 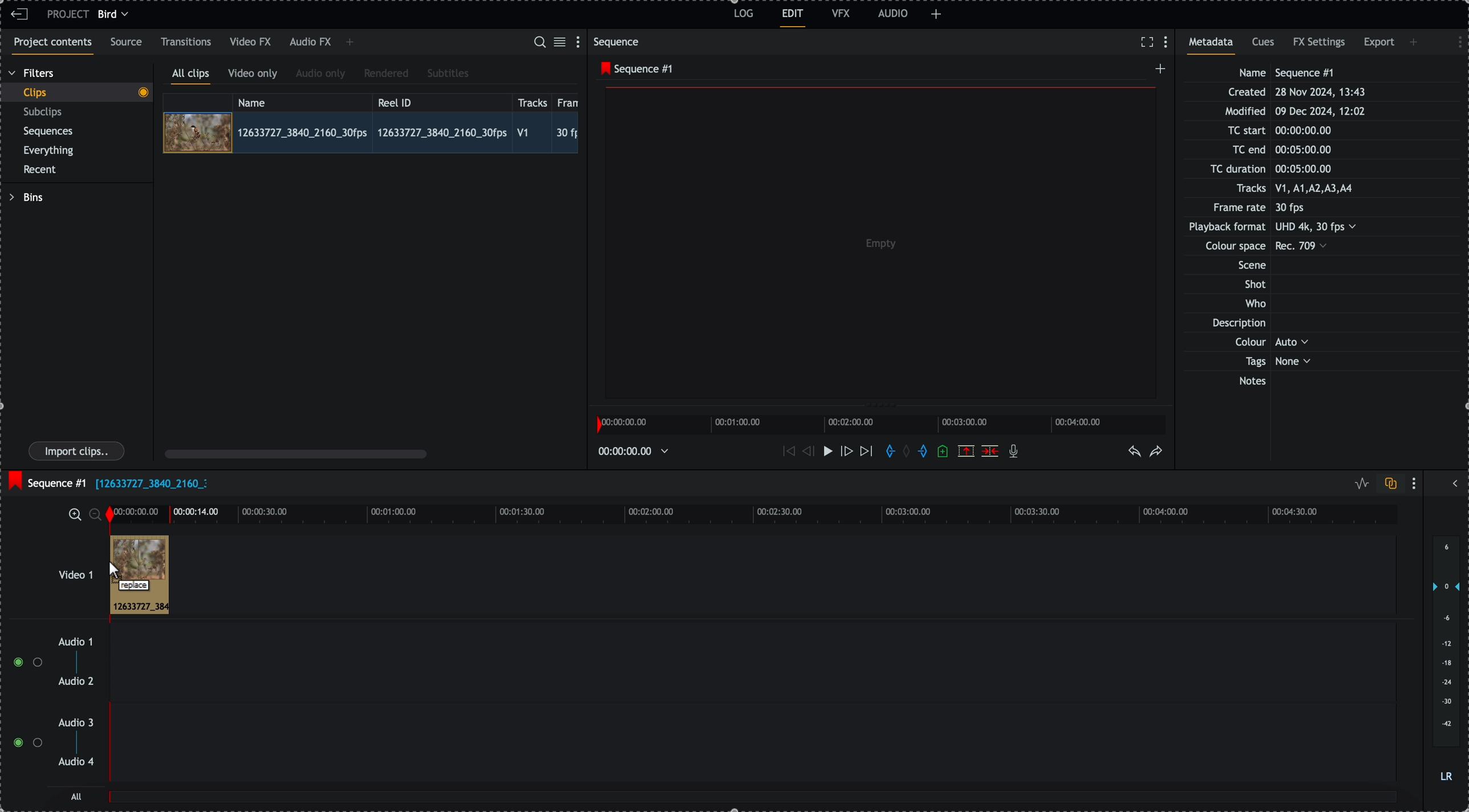 What do you see at coordinates (846, 452) in the screenshot?
I see `nudge one frame foward` at bounding box center [846, 452].